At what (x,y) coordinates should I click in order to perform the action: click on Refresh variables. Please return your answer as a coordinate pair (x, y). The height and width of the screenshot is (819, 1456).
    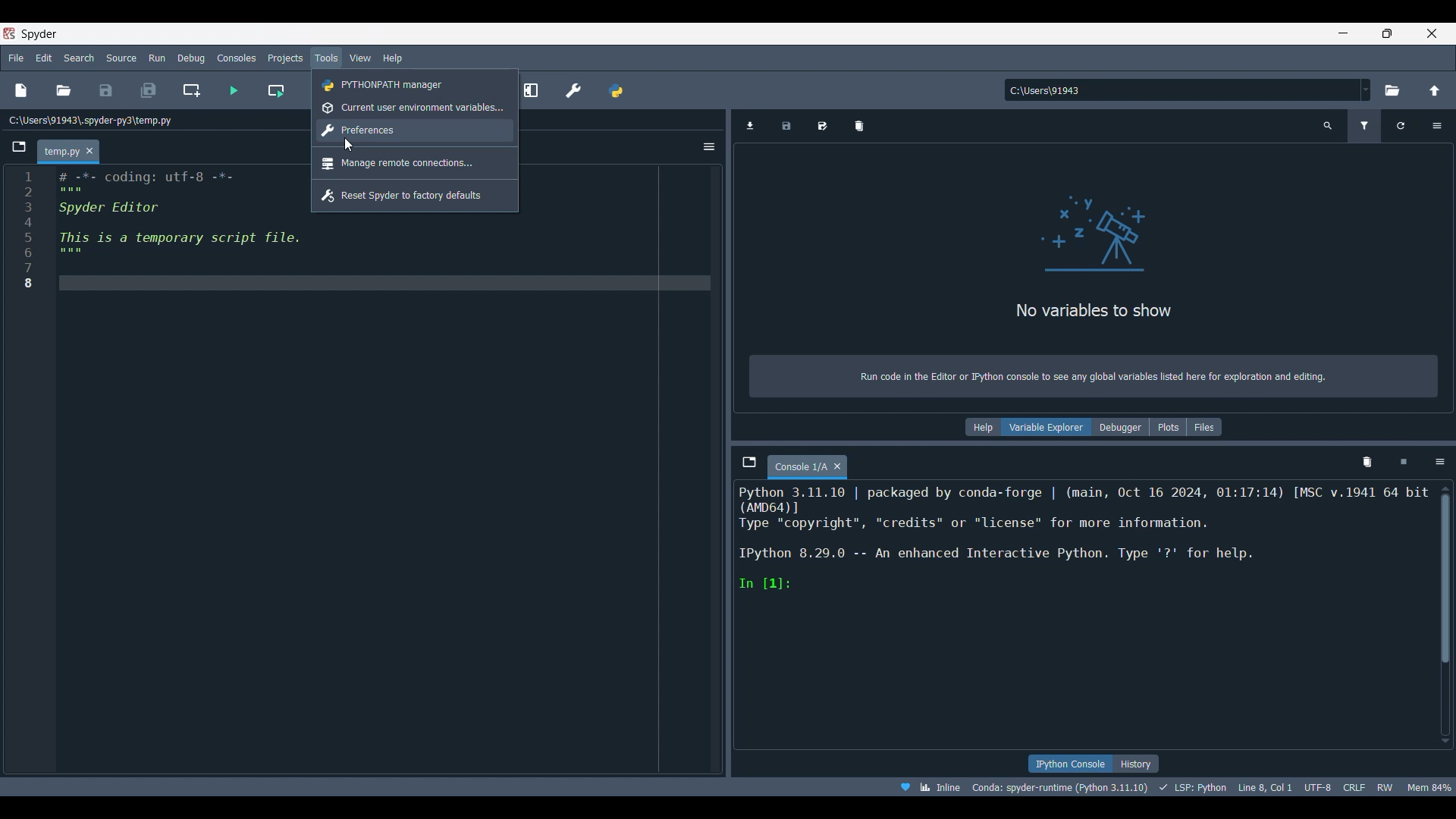
    Looking at the image, I should click on (1401, 127).